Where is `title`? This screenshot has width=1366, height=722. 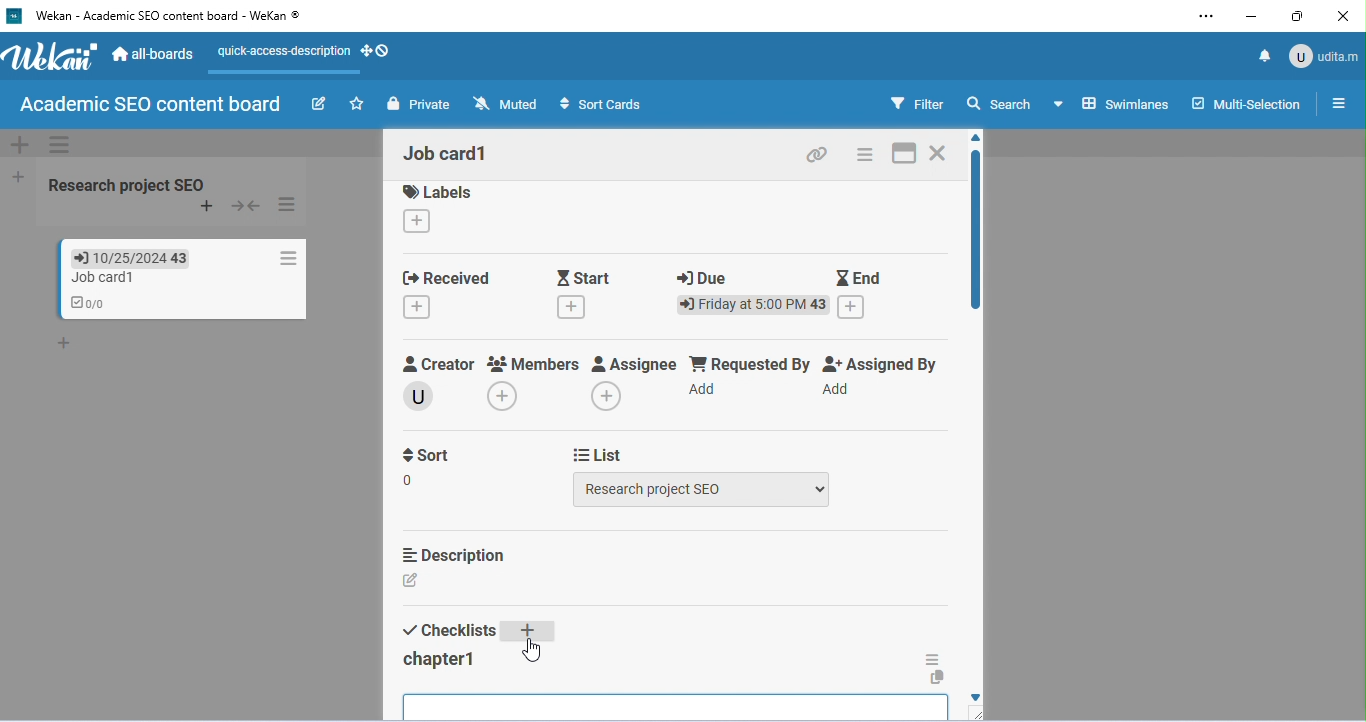
title is located at coordinates (160, 17).